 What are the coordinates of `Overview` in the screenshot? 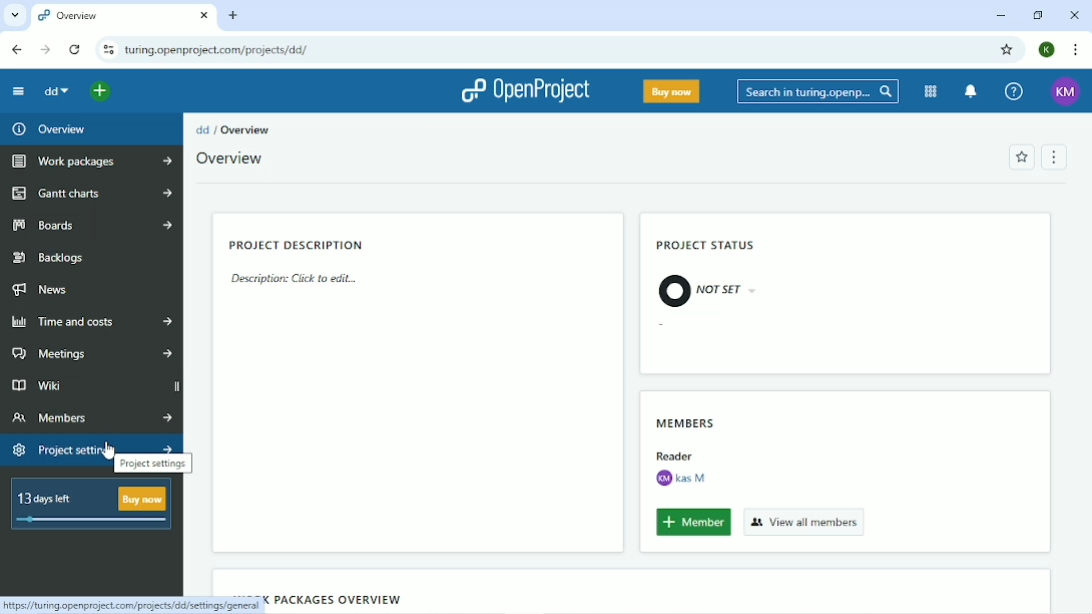 It's located at (248, 130).